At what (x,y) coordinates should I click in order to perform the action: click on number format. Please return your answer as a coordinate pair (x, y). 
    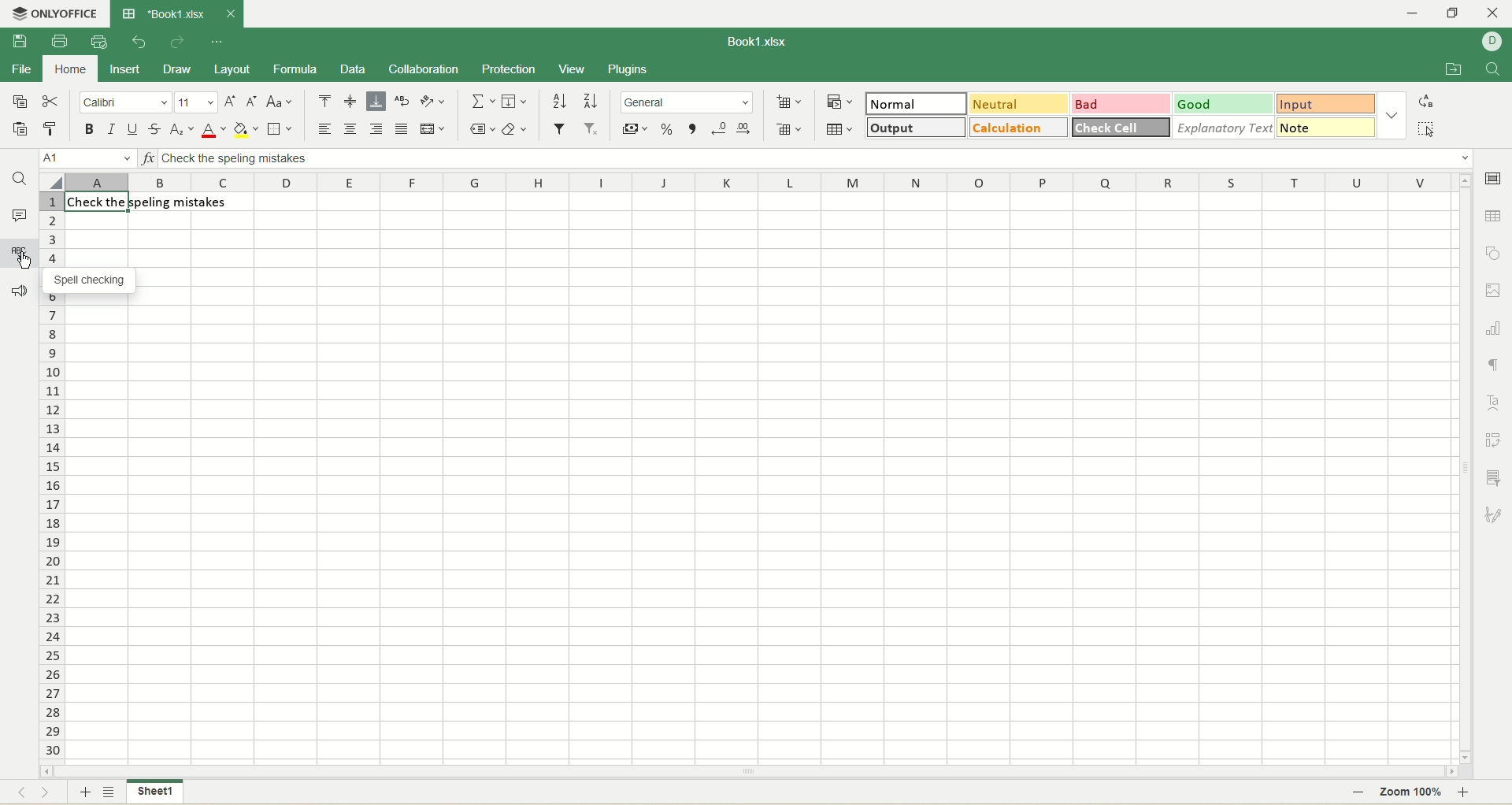
    Looking at the image, I should click on (687, 102).